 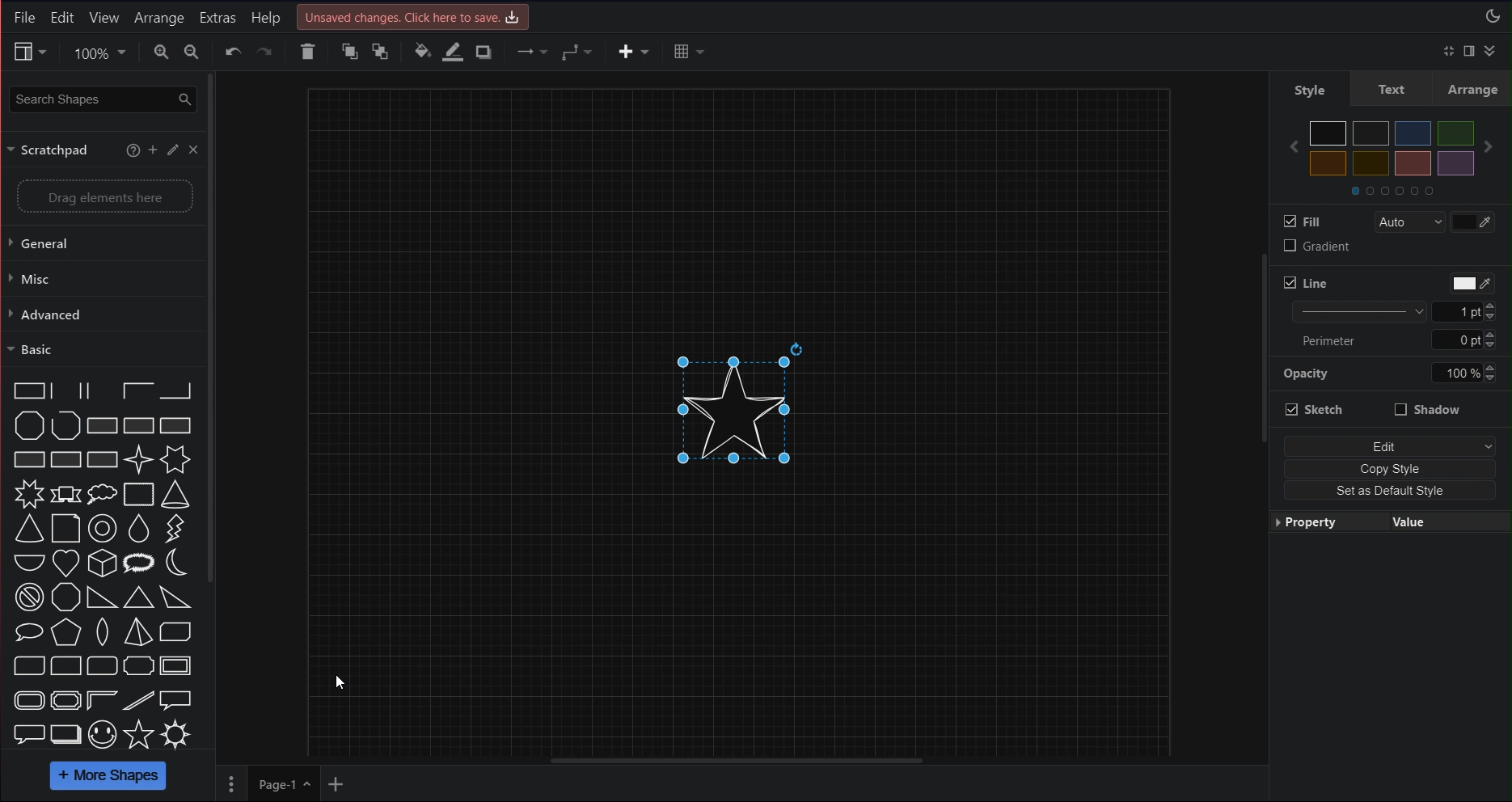 What do you see at coordinates (99, 278) in the screenshot?
I see `Misc` at bounding box center [99, 278].